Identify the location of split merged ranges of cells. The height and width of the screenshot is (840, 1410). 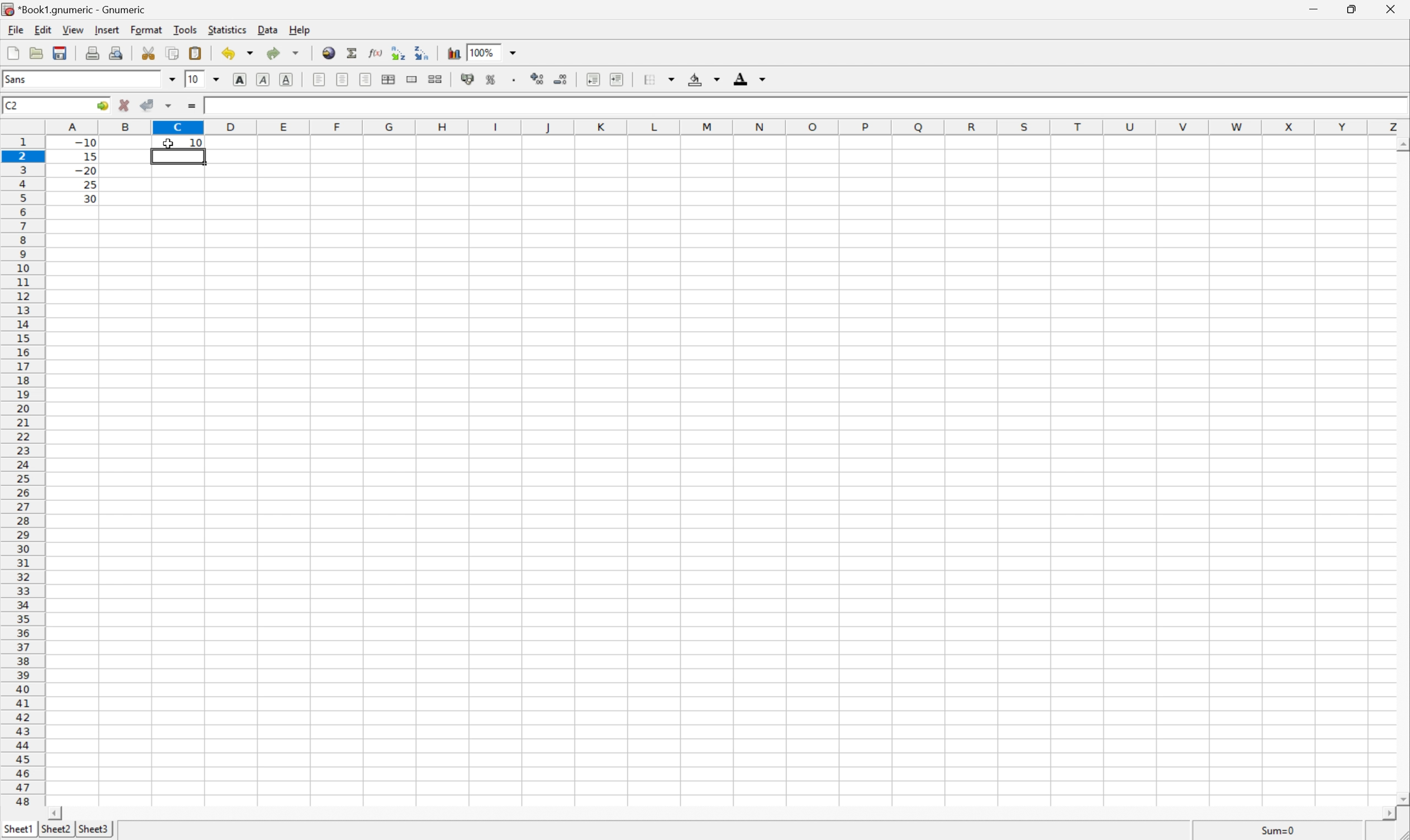
(435, 78).